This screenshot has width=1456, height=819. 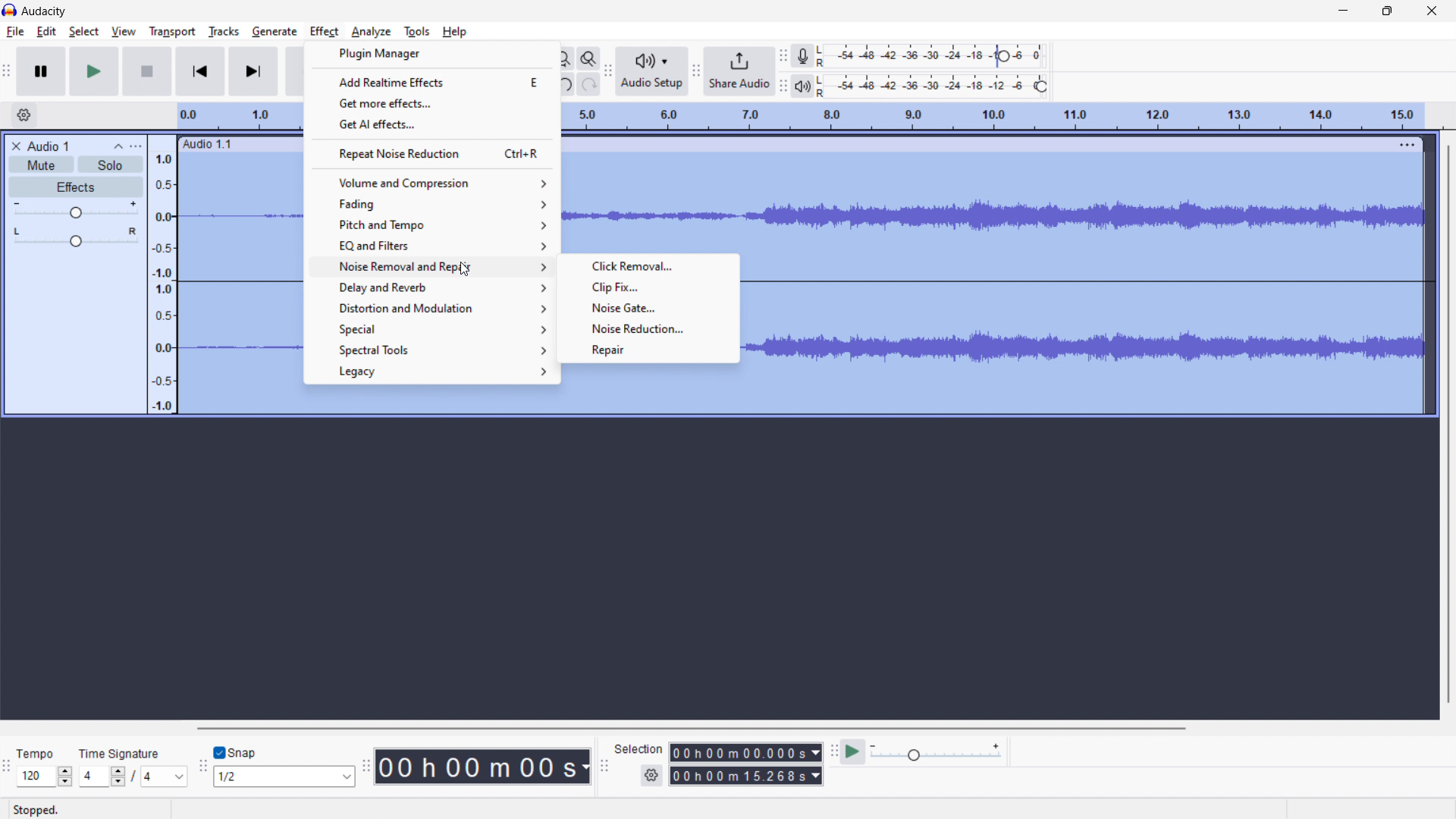 What do you see at coordinates (431, 102) in the screenshot?
I see `get more effects` at bounding box center [431, 102].